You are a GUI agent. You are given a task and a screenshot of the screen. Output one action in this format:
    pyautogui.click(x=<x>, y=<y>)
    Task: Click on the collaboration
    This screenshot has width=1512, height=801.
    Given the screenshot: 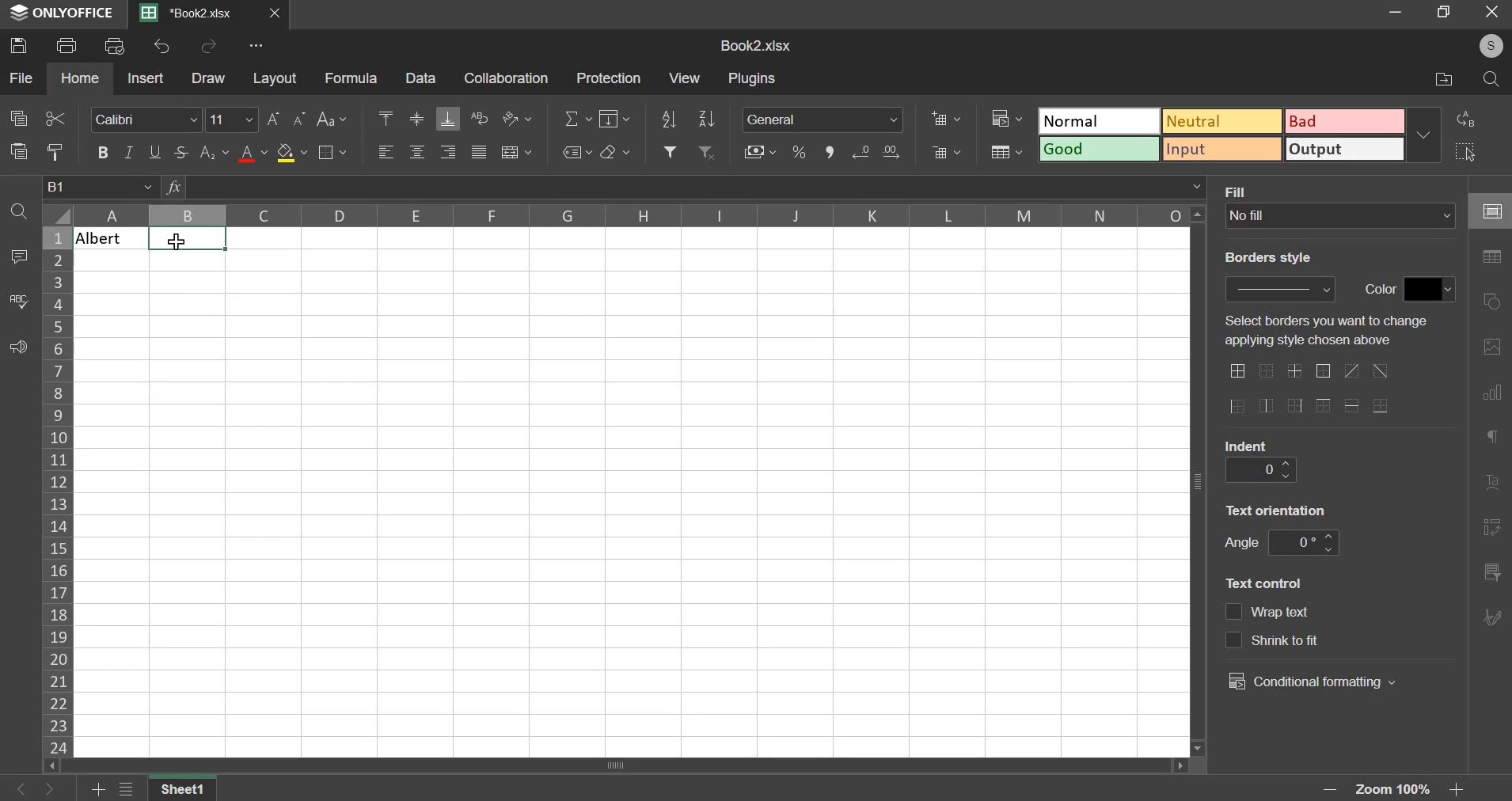 What is the action you would take?
    pyautogui.click(x=507, y=78)
    